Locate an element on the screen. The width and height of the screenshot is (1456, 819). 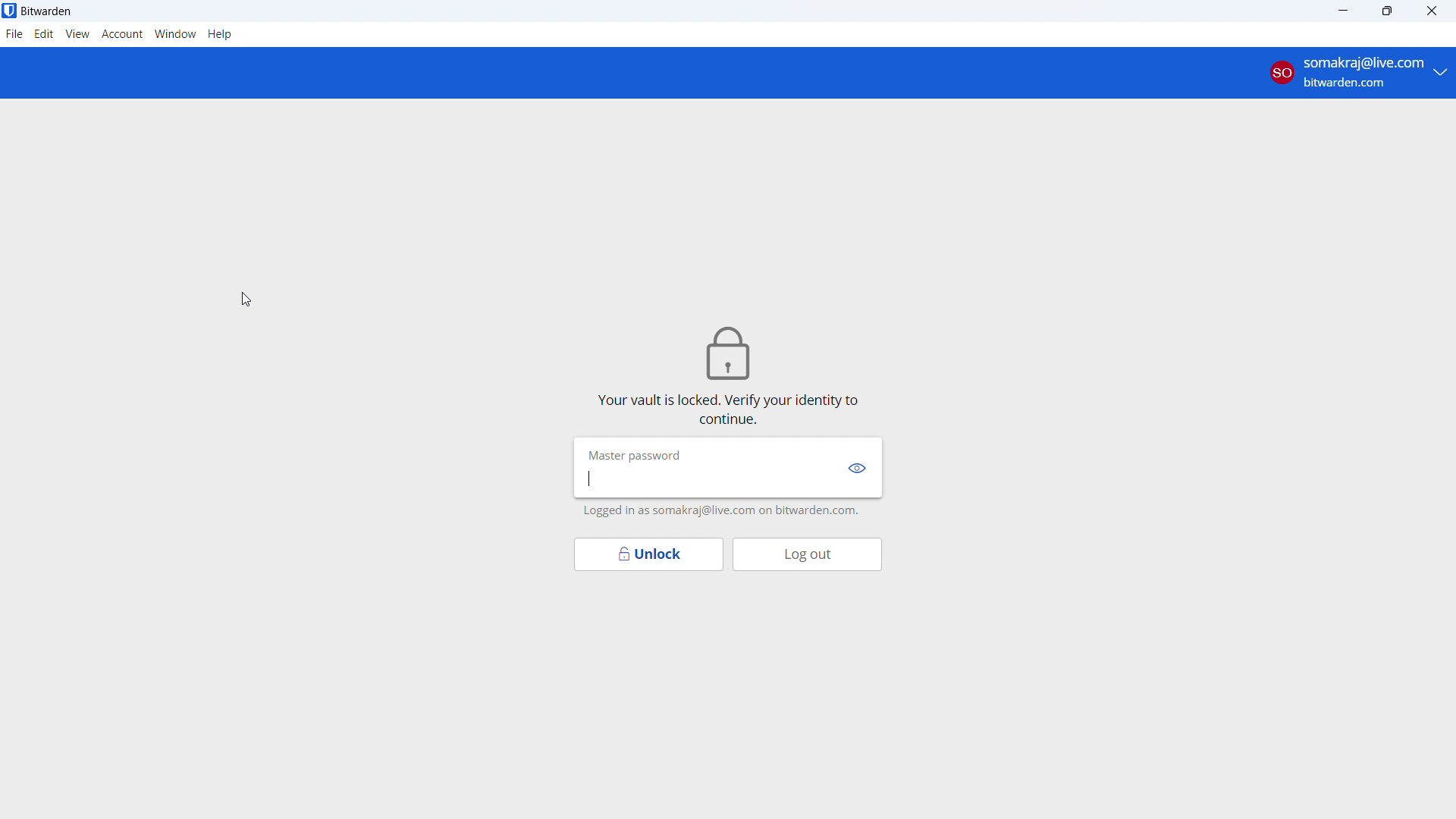
master password is located at coordinates (629, 452).